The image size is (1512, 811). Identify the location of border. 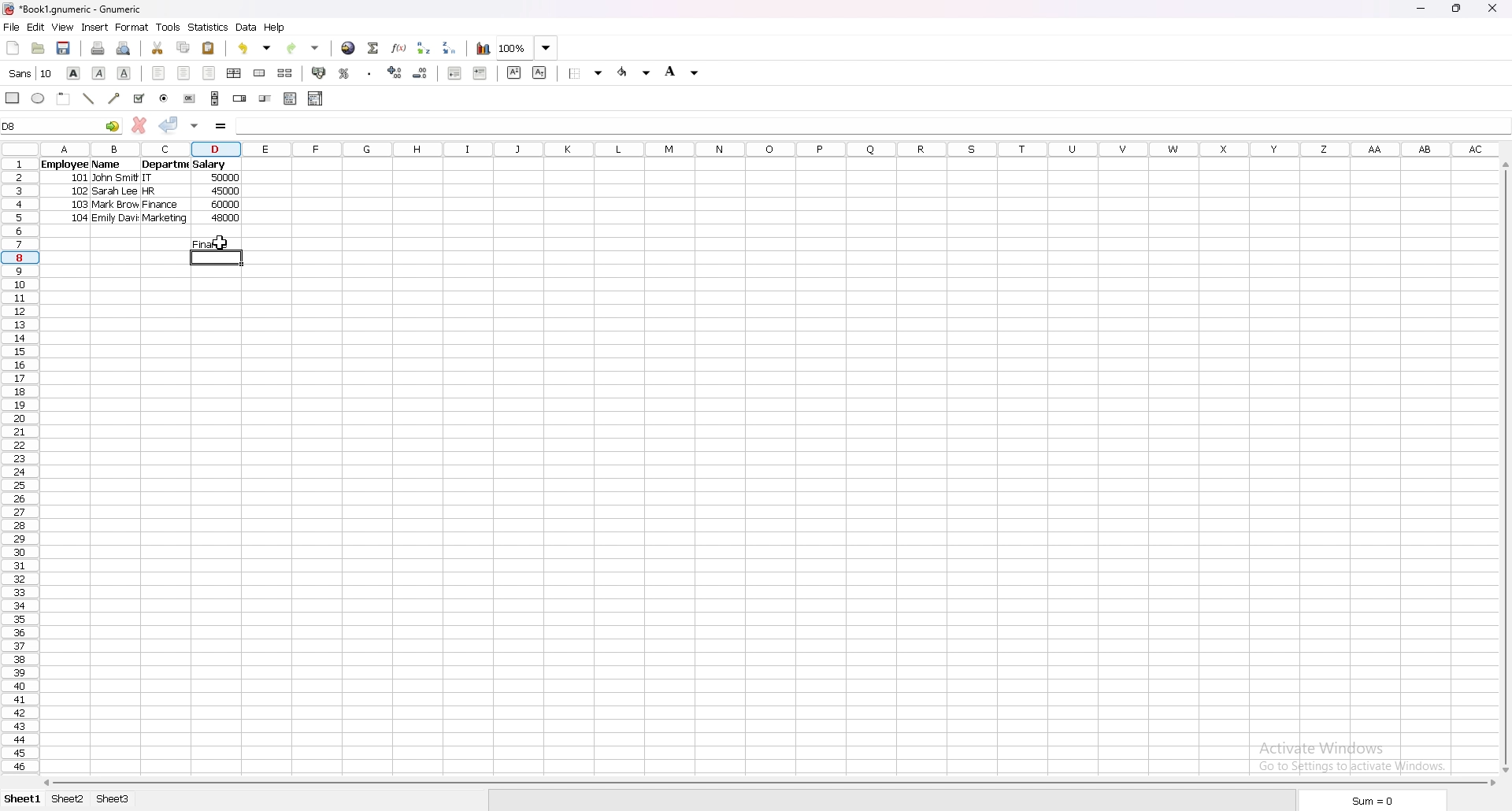
(586, 73).